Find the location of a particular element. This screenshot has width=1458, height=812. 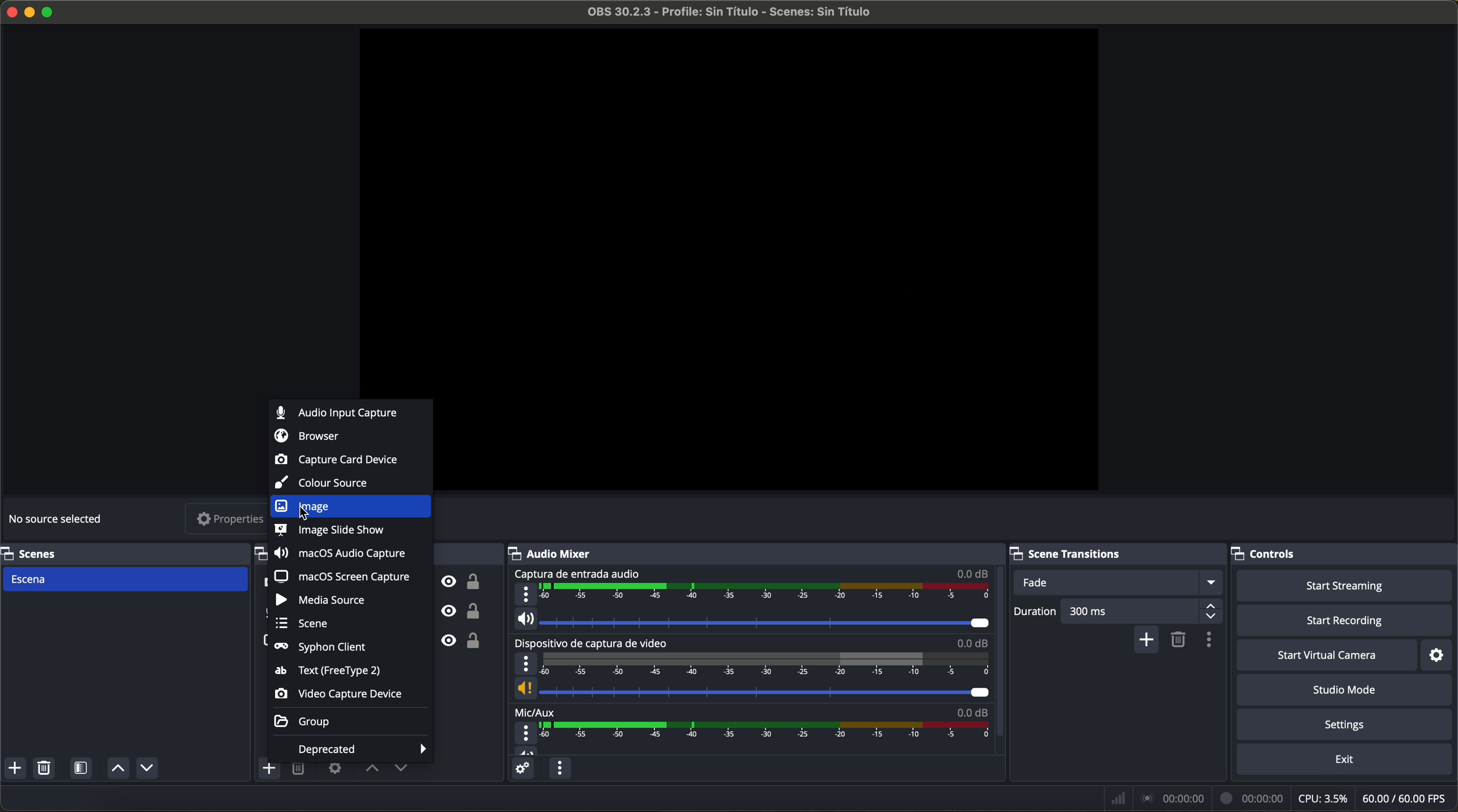

add configurable transition is located at coordinates (1147, 641).